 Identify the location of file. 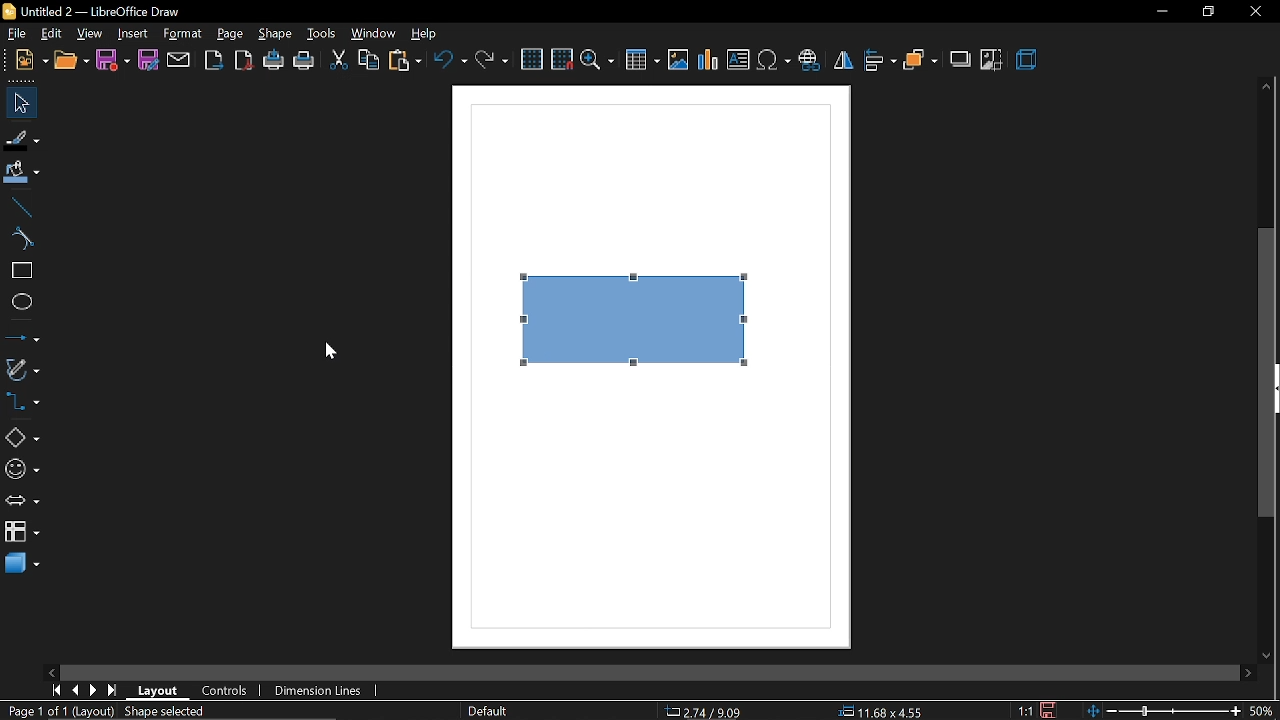
(18, 33).